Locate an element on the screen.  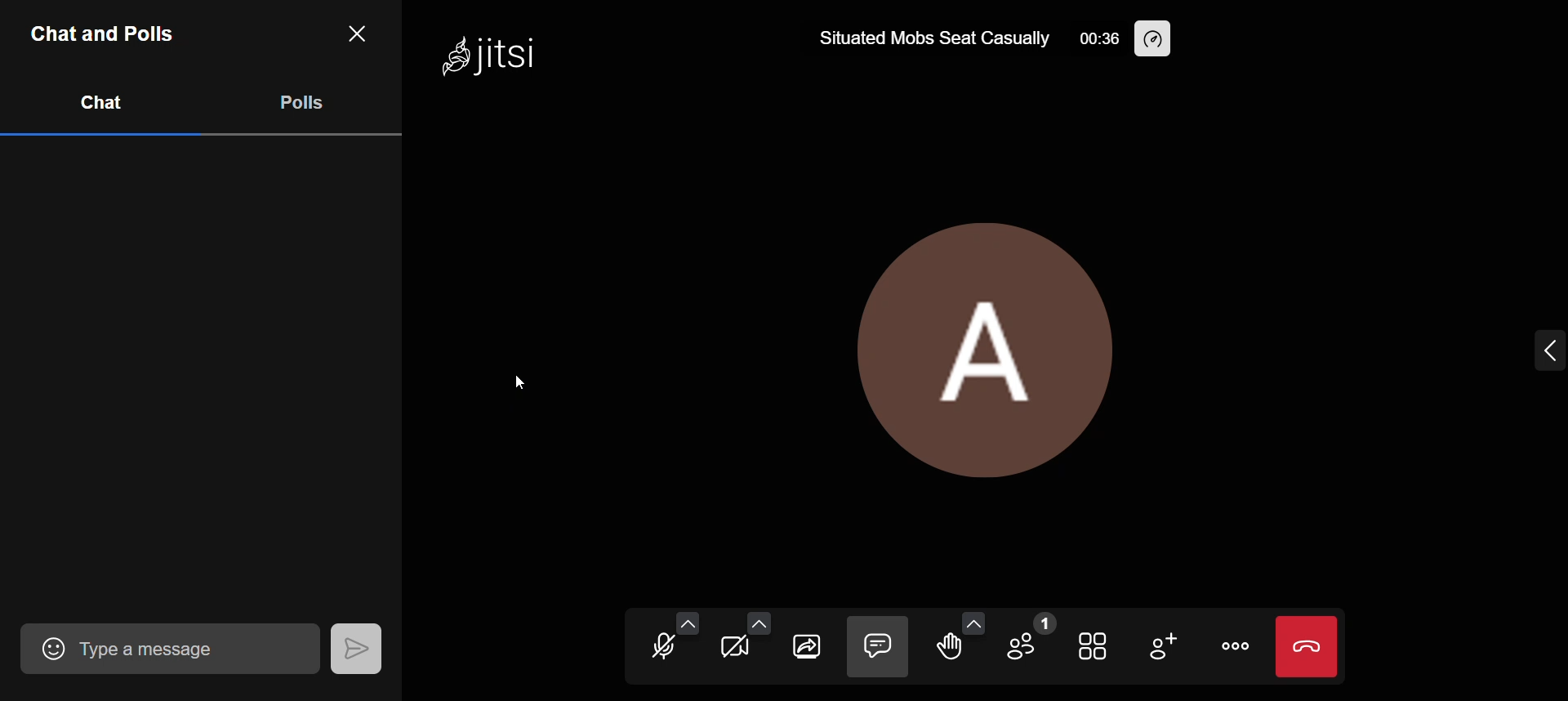
unmute mic is located at coordinates (661, 649).